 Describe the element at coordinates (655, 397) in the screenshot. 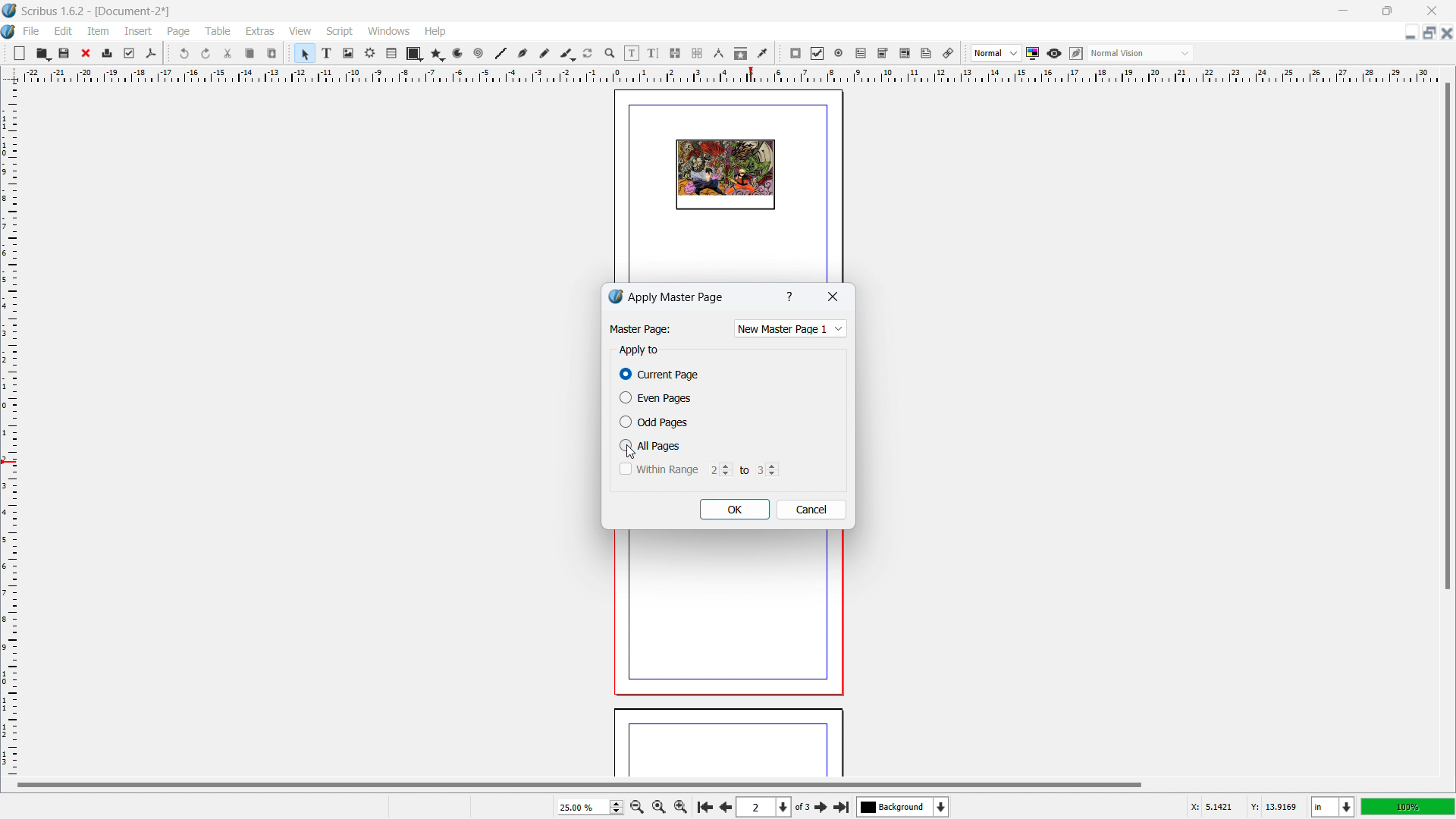

I see `even pages checkbox` at that location.